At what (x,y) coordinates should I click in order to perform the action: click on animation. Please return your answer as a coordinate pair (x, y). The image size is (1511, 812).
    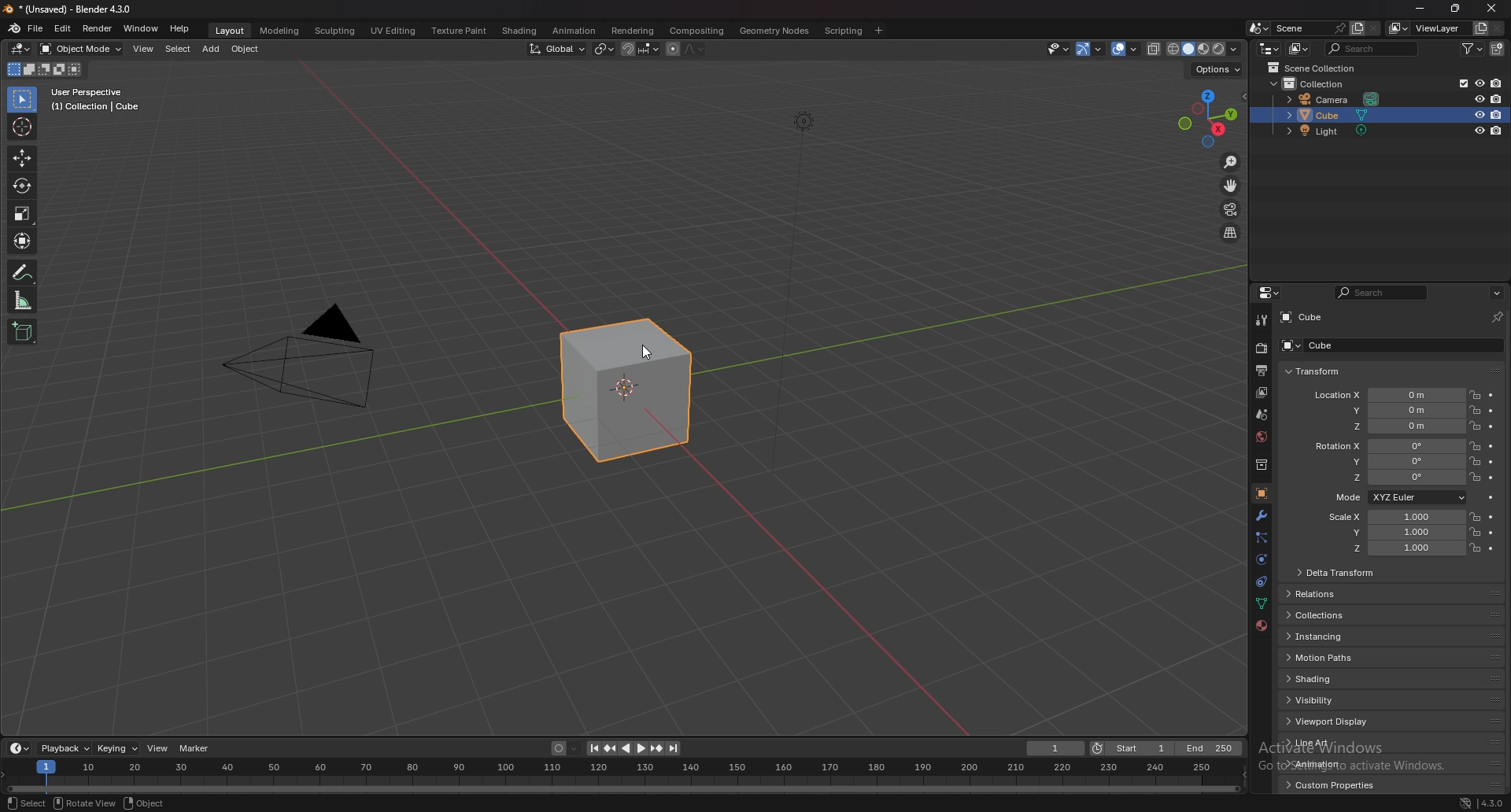
    Looking at the image, I should click on (1331, 763).